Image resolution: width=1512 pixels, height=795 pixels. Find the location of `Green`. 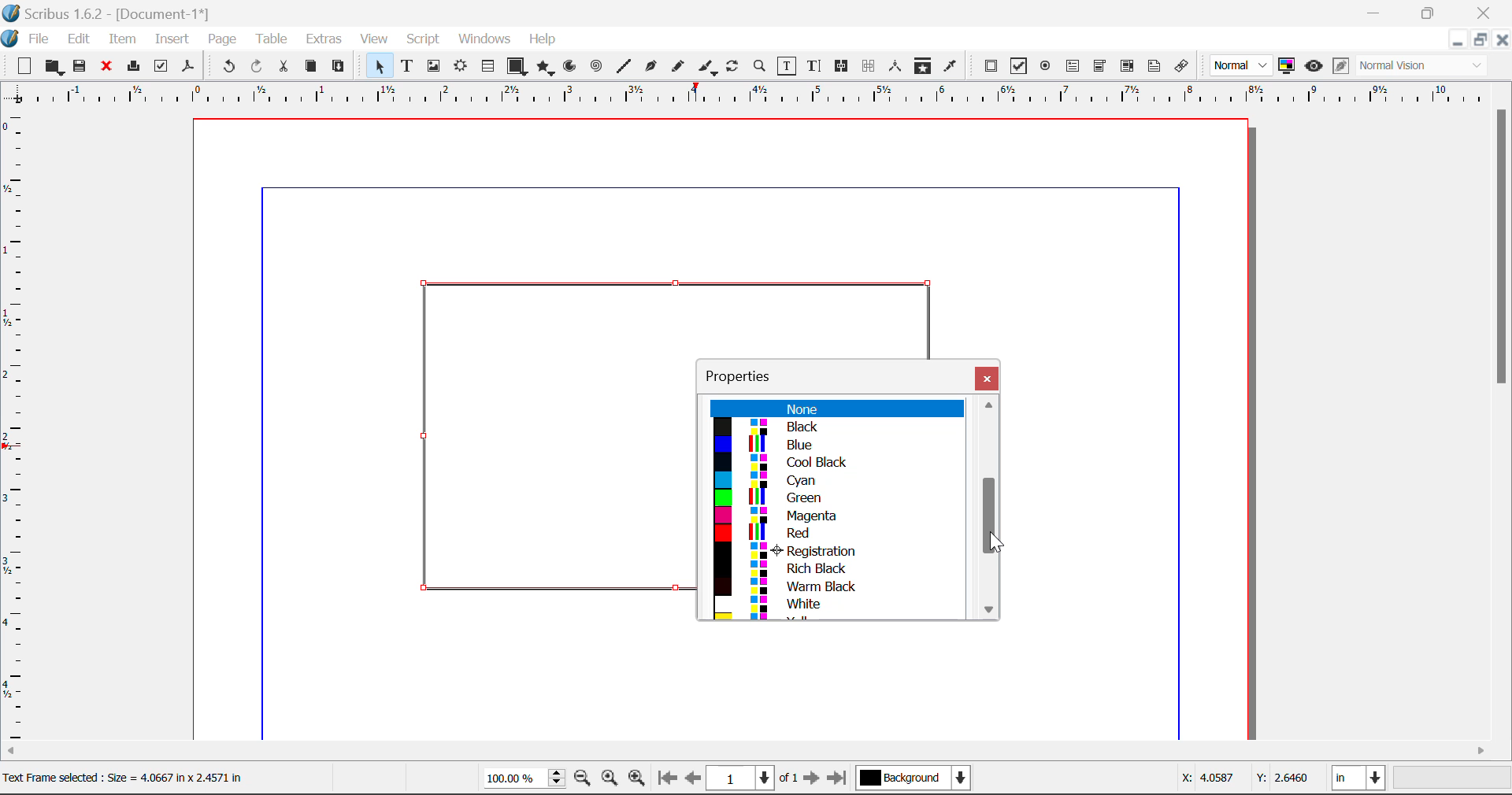

Green is located at coordinates (832, 498).